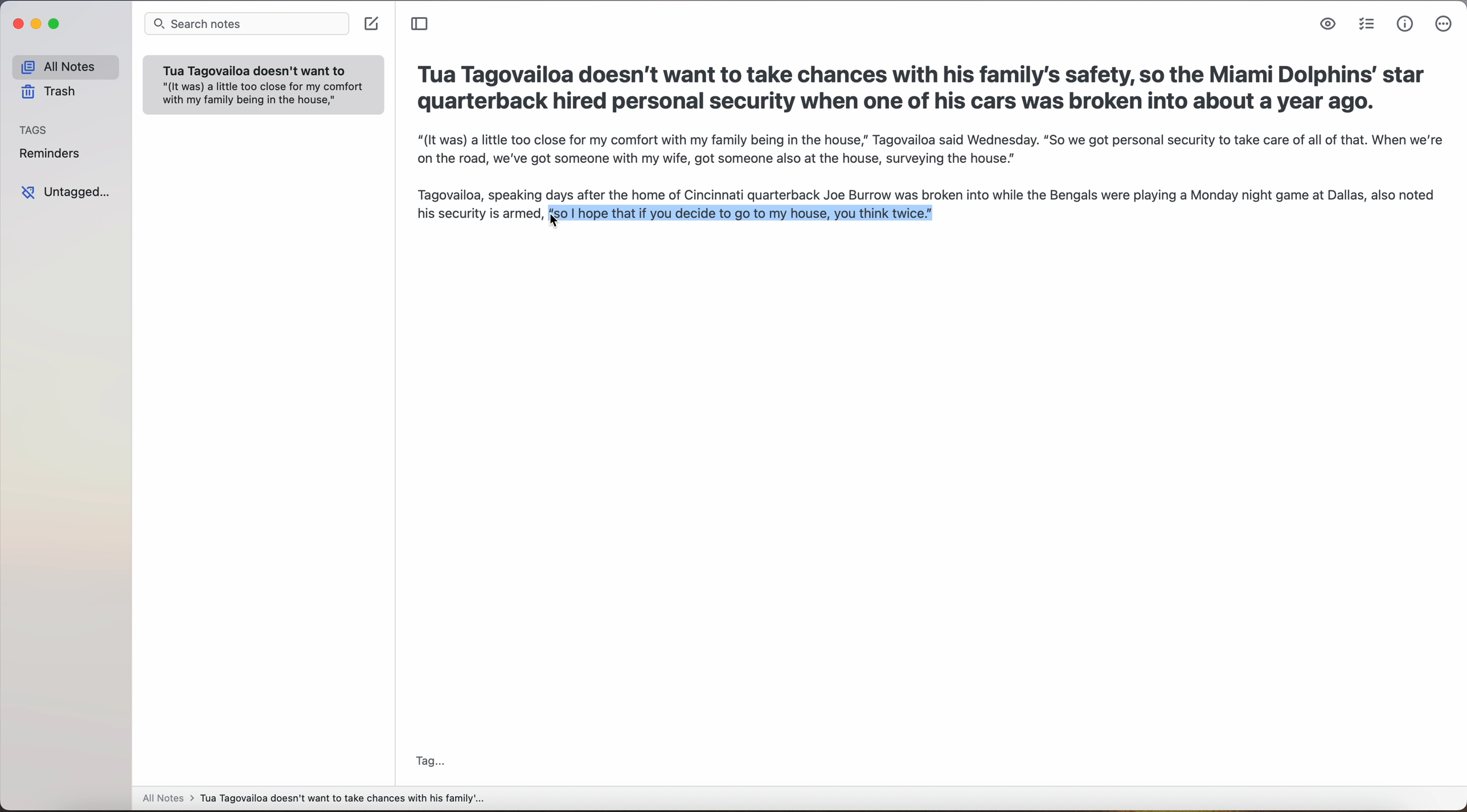  Describe the element at coordinates (38, 28) in the screenshot. I see `minimize` at that location.